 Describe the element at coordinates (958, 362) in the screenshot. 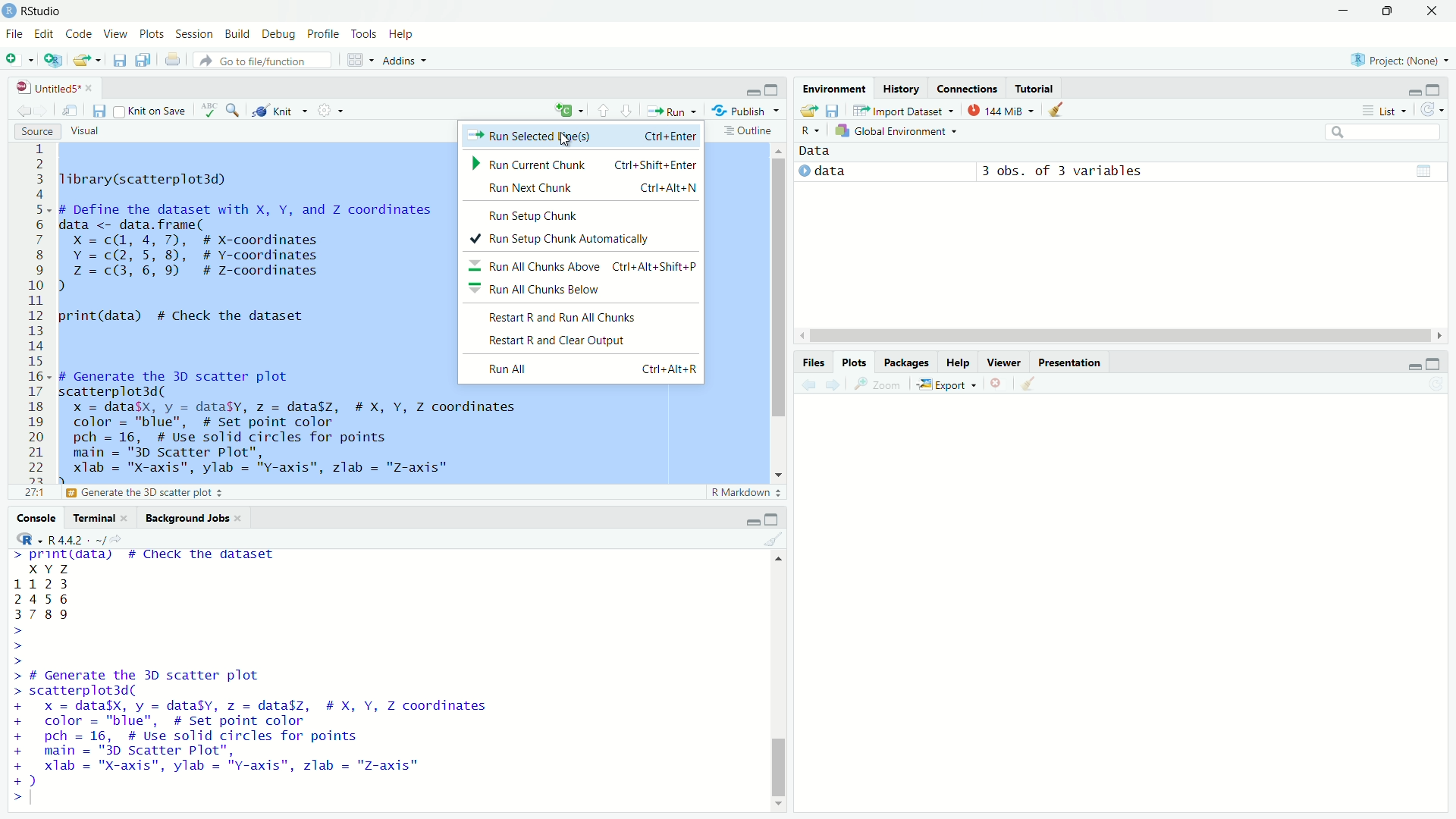

I see `help` at that location.